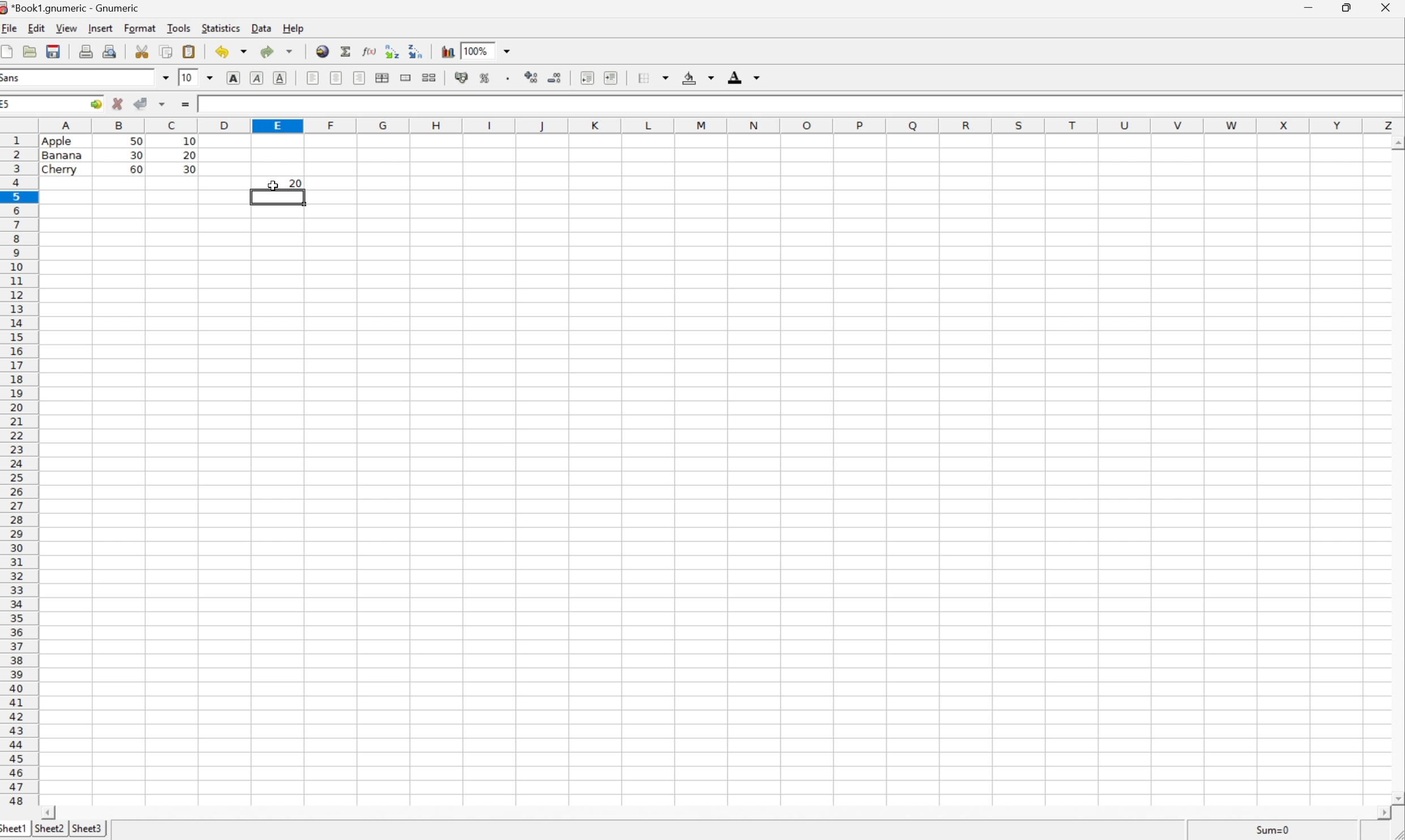 The width and height of the screenshot is (1405, 840). What do you see at coordinates (370, 50) in the screenshot?
I see `edit function in current cell` at bounding box center [370, 50].